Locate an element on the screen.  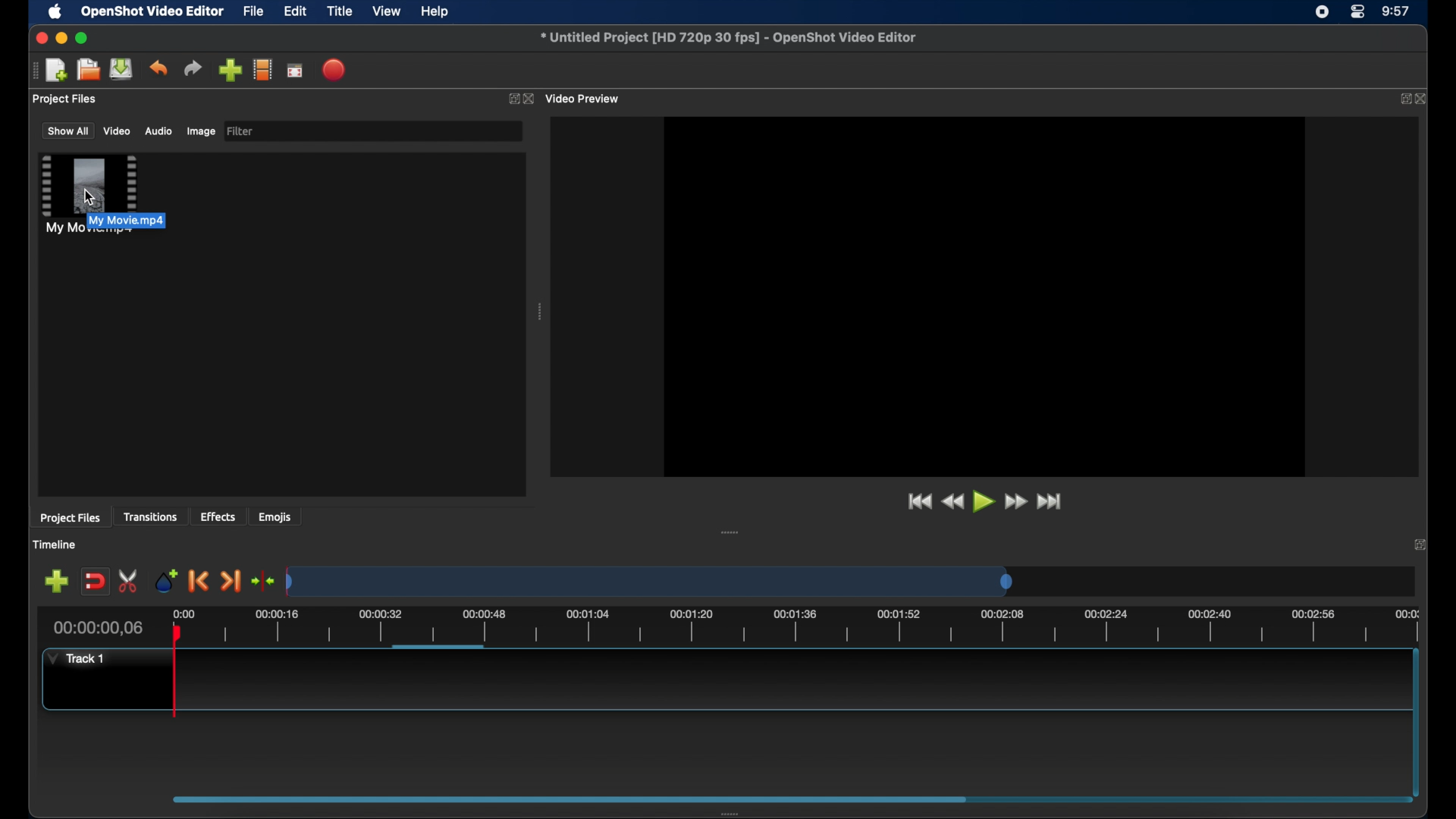
enable razor is located at coordinates (129, 582).